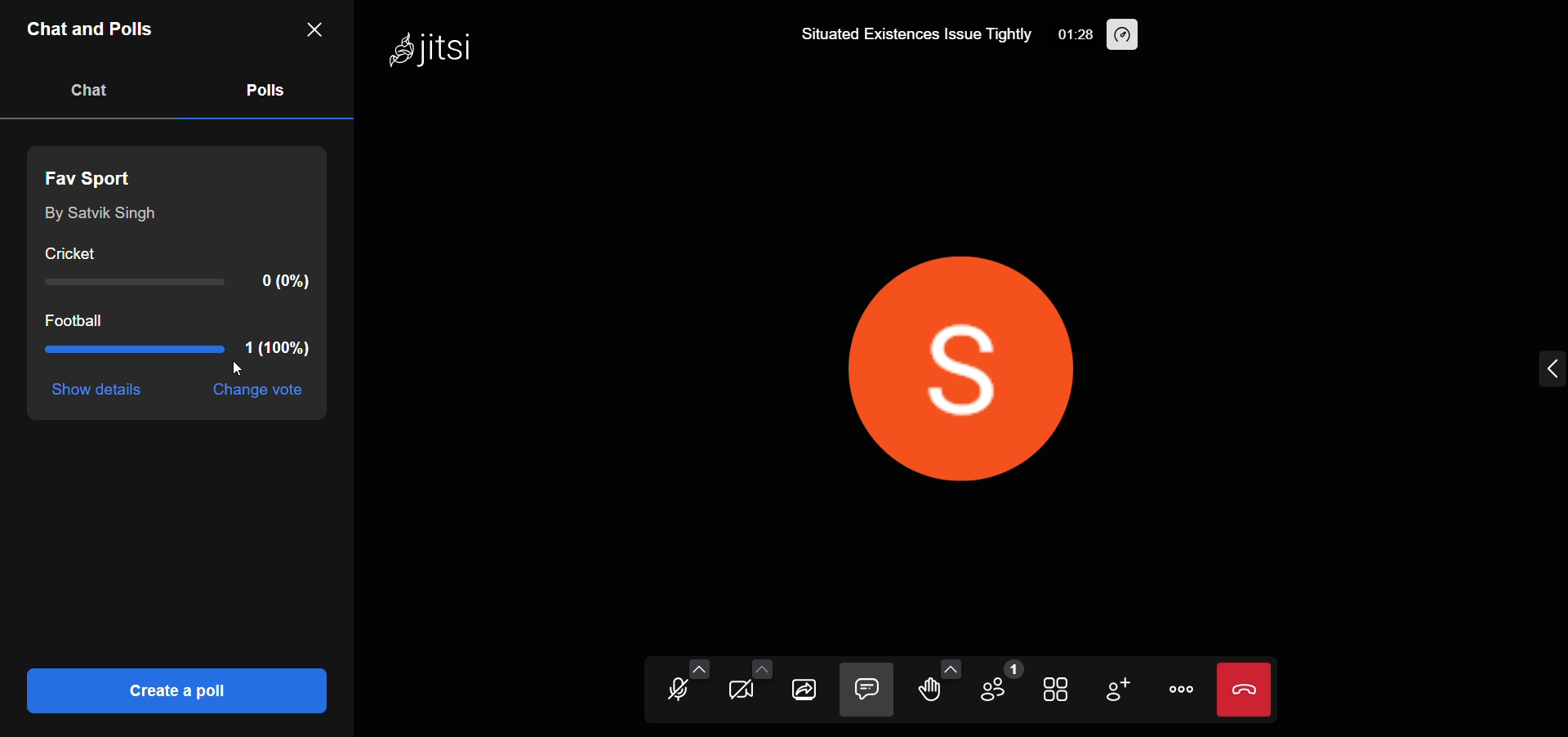 This screenshot has width=1568, height=737. Describe the element at coordinates (736, 691) in the screenshot. I see `camera` at that location.